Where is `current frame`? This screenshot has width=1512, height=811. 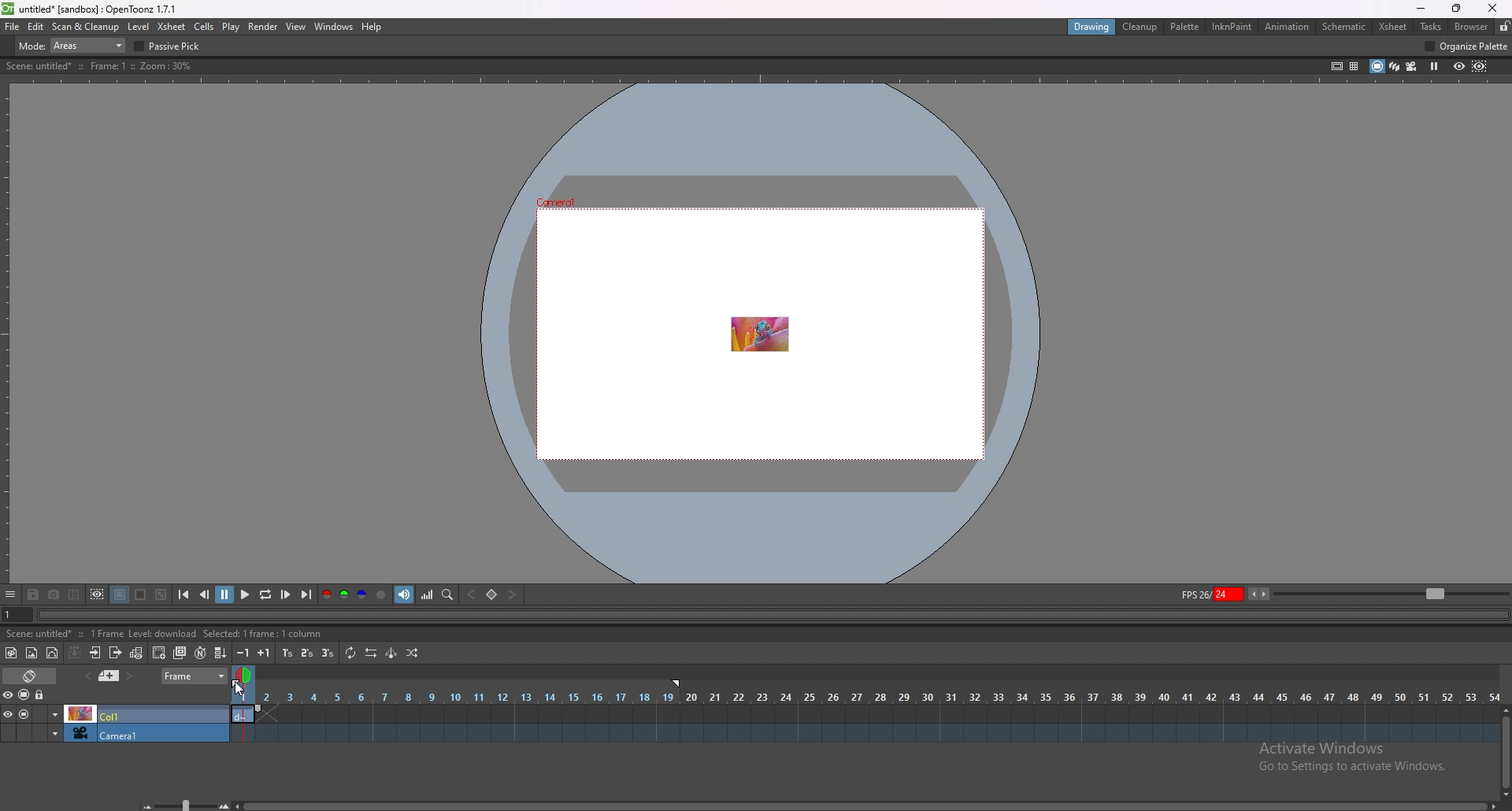
current frame is located at coordinates (13, 617).